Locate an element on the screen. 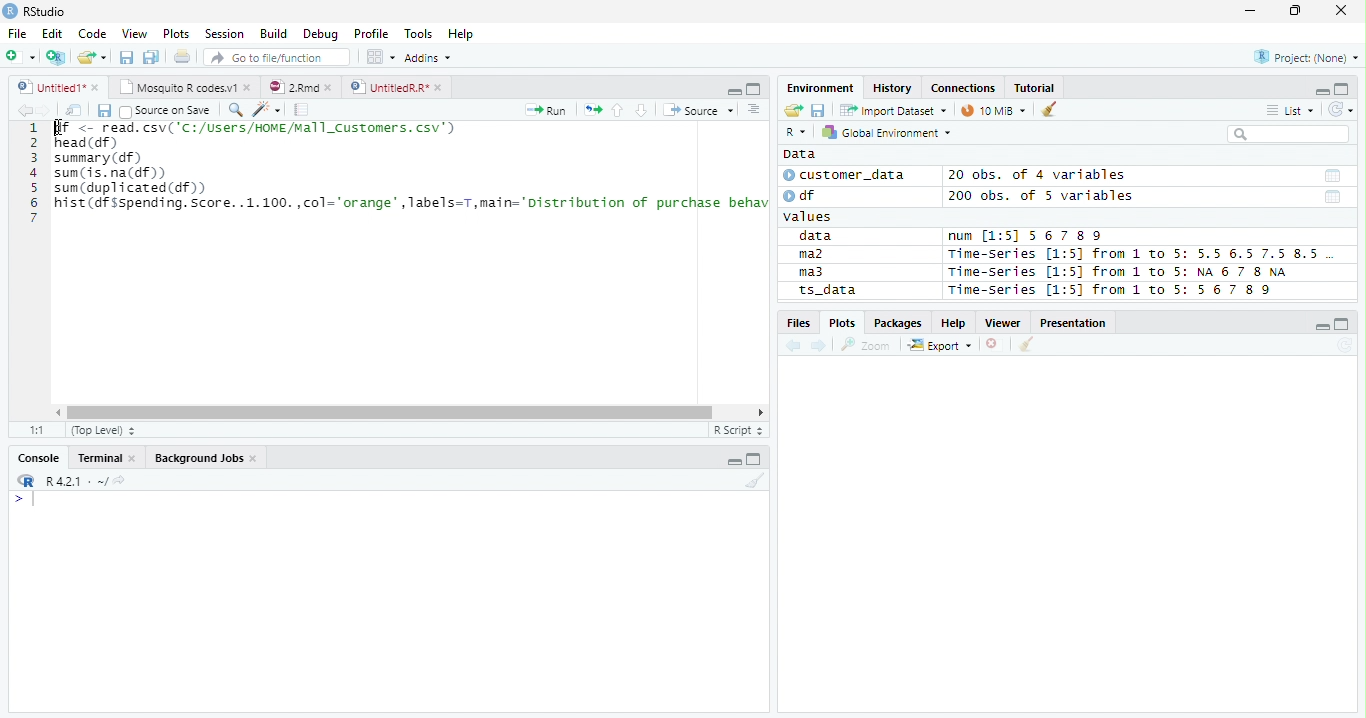 The width and height of the screenshot is (1366, 718). Code is located at coordinates (94, 34).